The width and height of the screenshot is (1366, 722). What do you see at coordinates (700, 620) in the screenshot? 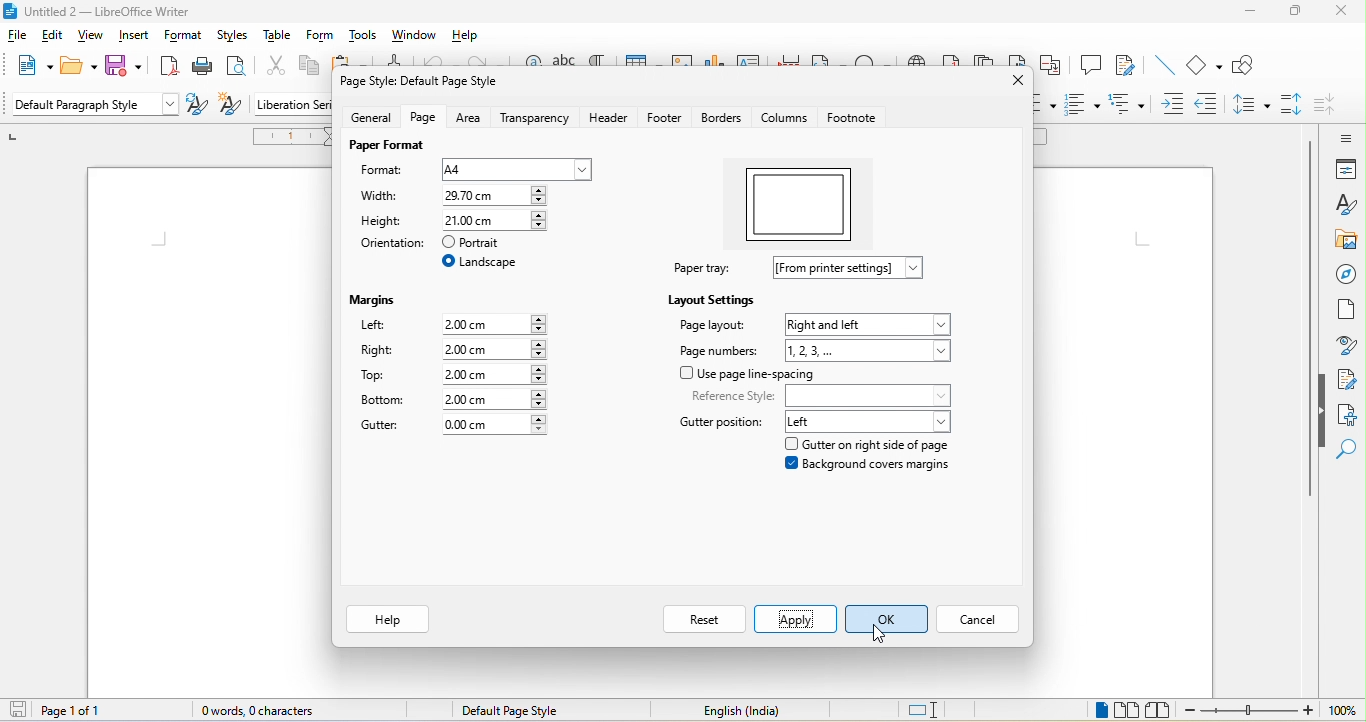
I see `reset` at bounding box center [700, 620].